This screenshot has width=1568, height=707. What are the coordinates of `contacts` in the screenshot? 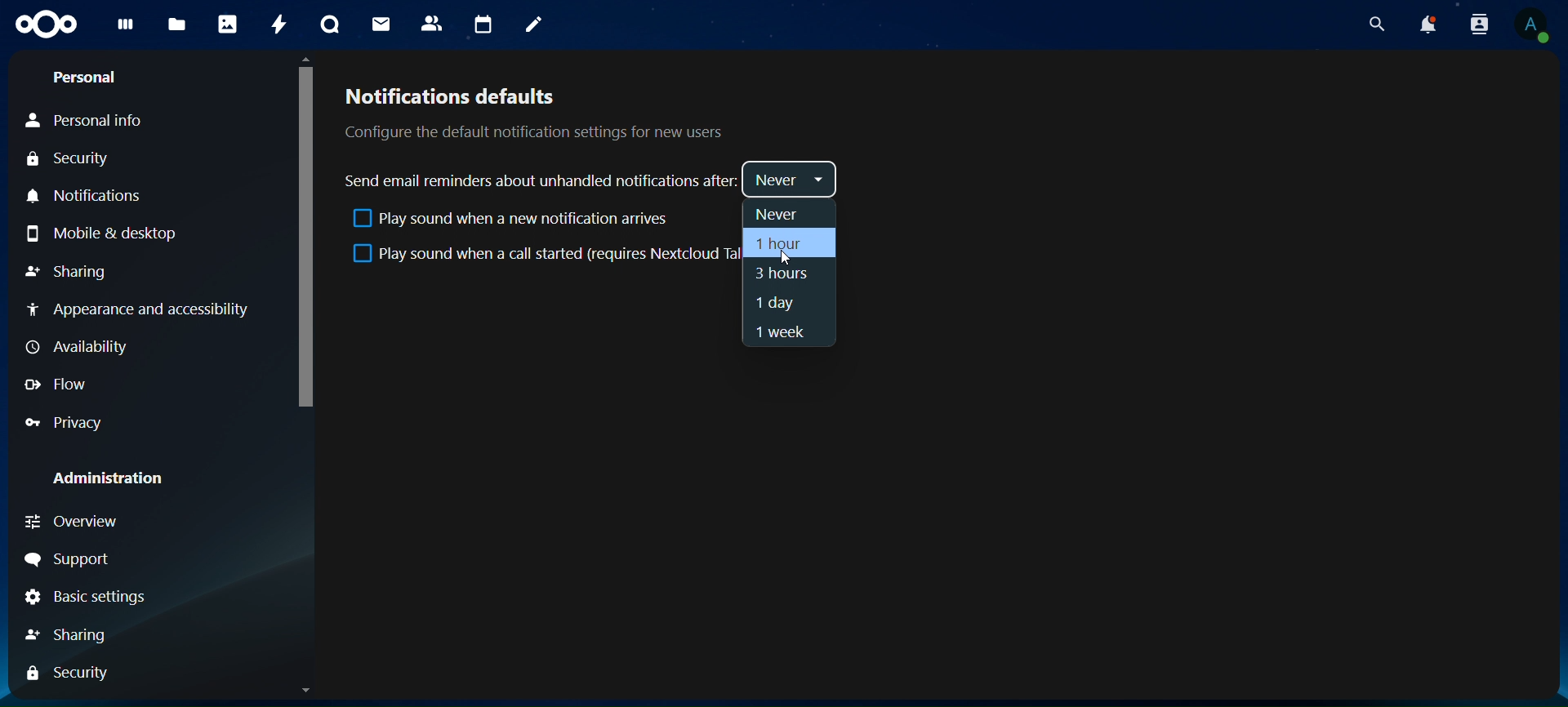 It's located at (432, 23).